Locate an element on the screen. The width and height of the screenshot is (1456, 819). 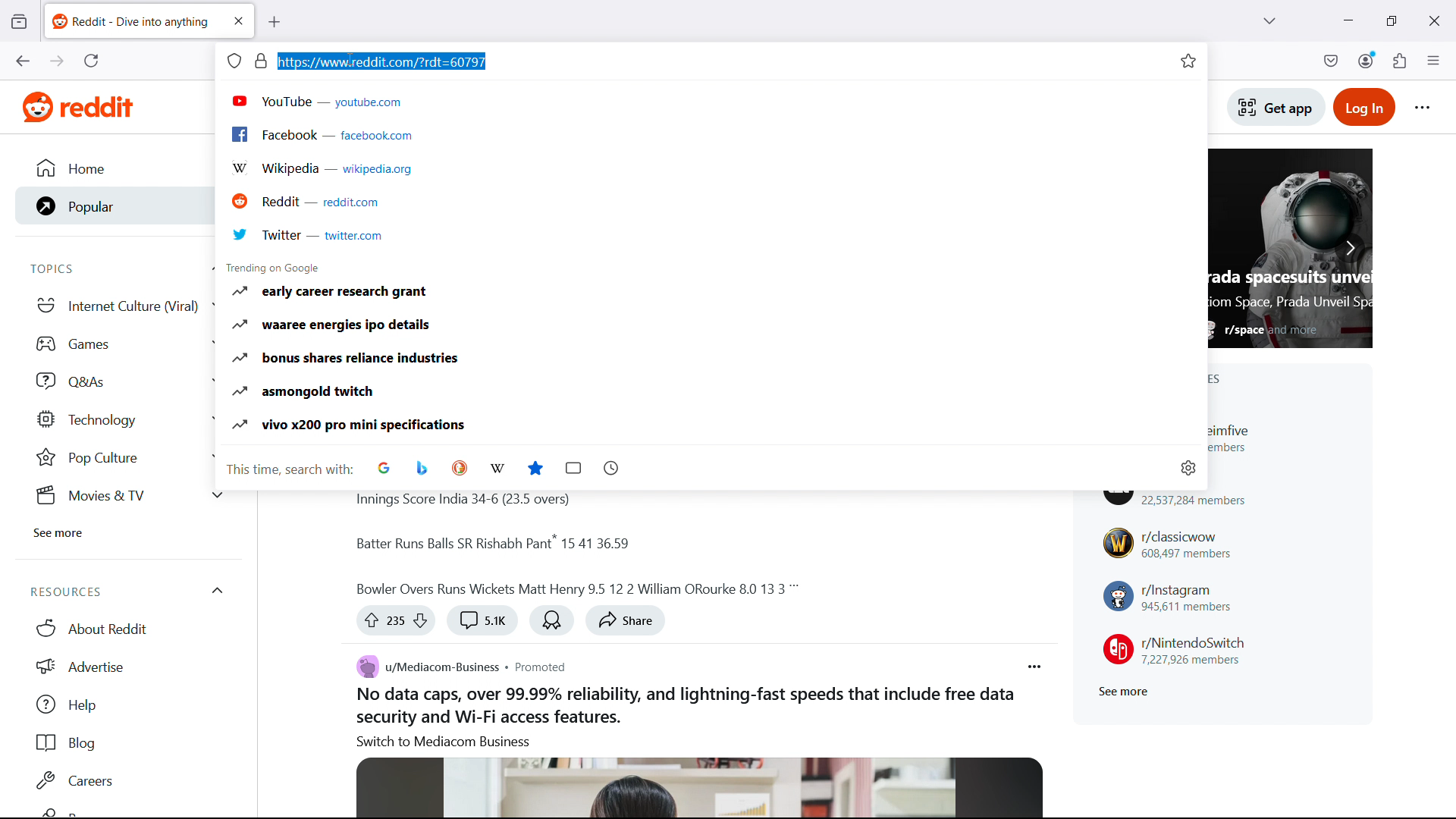
r/classicwow is located at coordinates (1169, 544).